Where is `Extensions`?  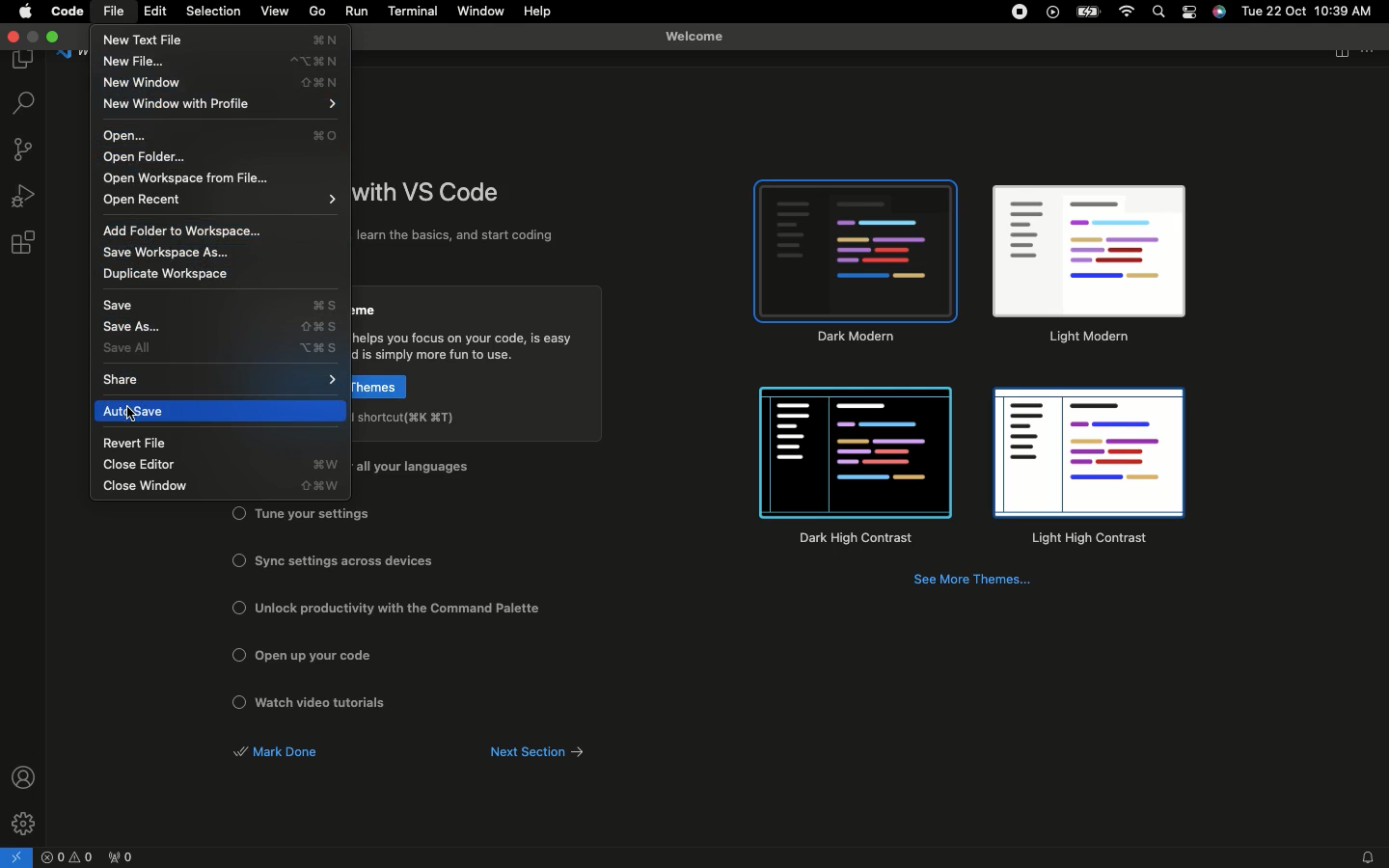
Extensions is located at coordinates (25, 244).